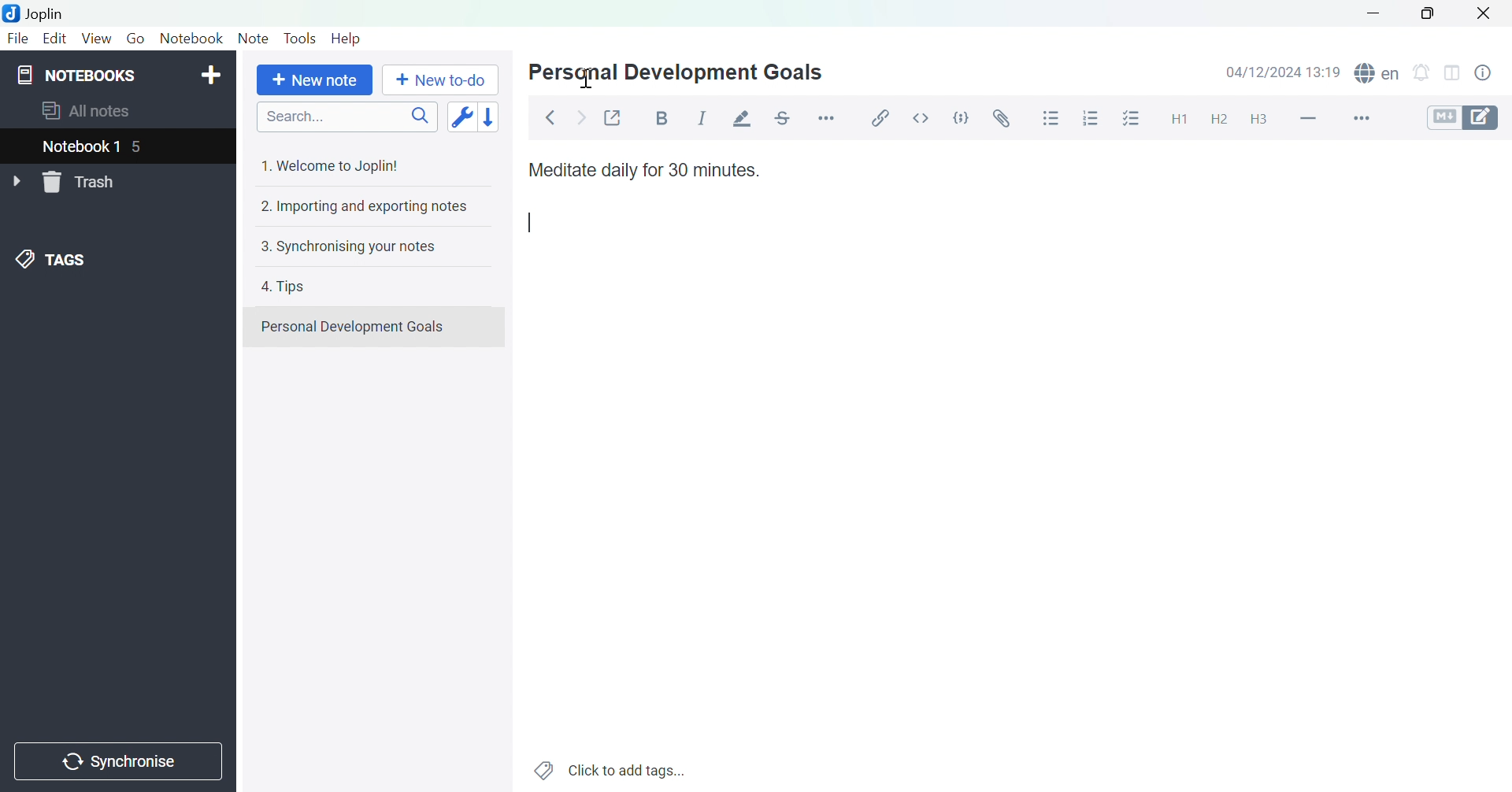 Image resolution: width=1512 pixels, height=792 pixels. I want to click on Numbered list, so click(1089, 119).